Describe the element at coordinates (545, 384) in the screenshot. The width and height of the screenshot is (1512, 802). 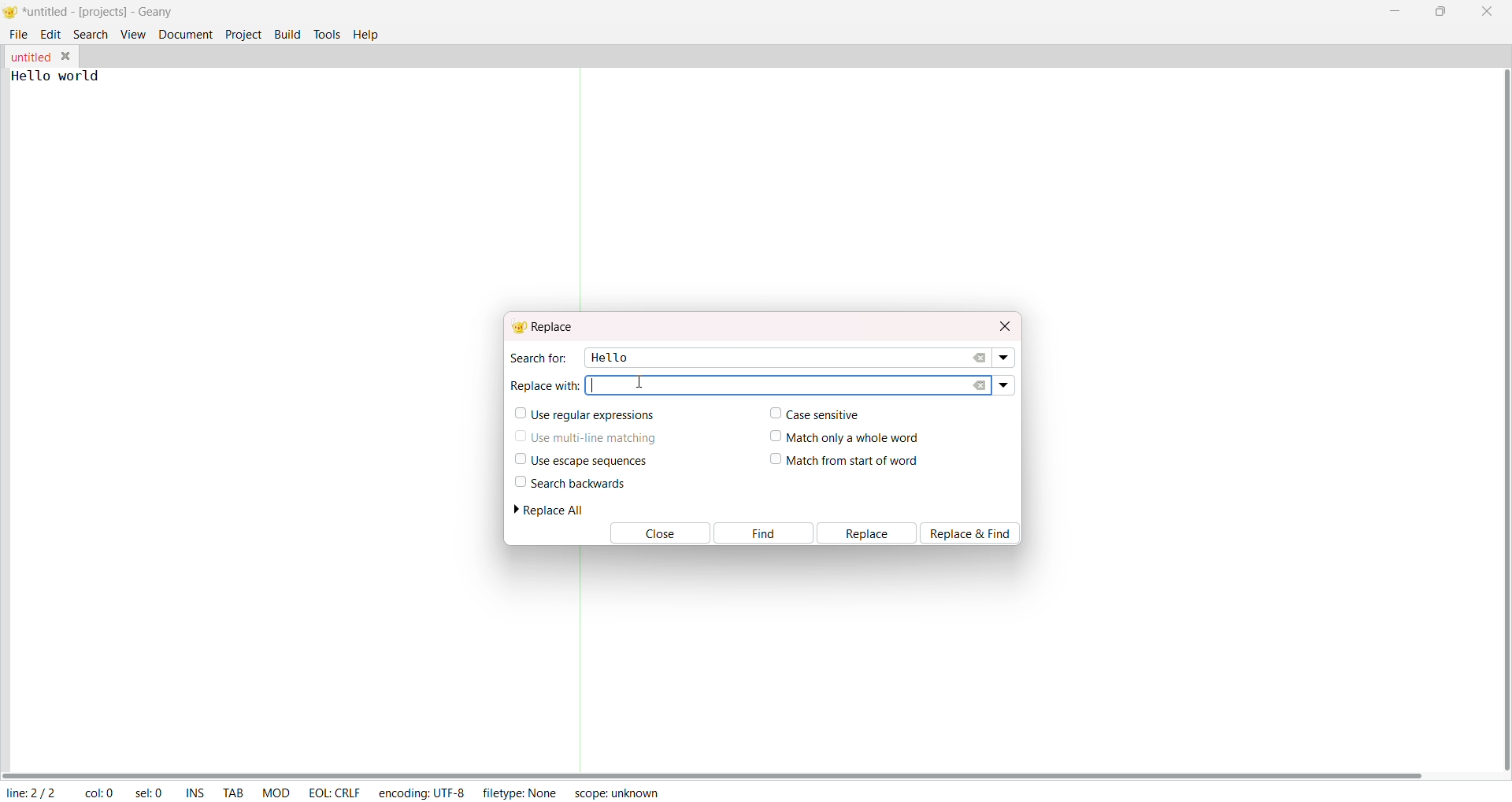
I see `replace with` at that location.